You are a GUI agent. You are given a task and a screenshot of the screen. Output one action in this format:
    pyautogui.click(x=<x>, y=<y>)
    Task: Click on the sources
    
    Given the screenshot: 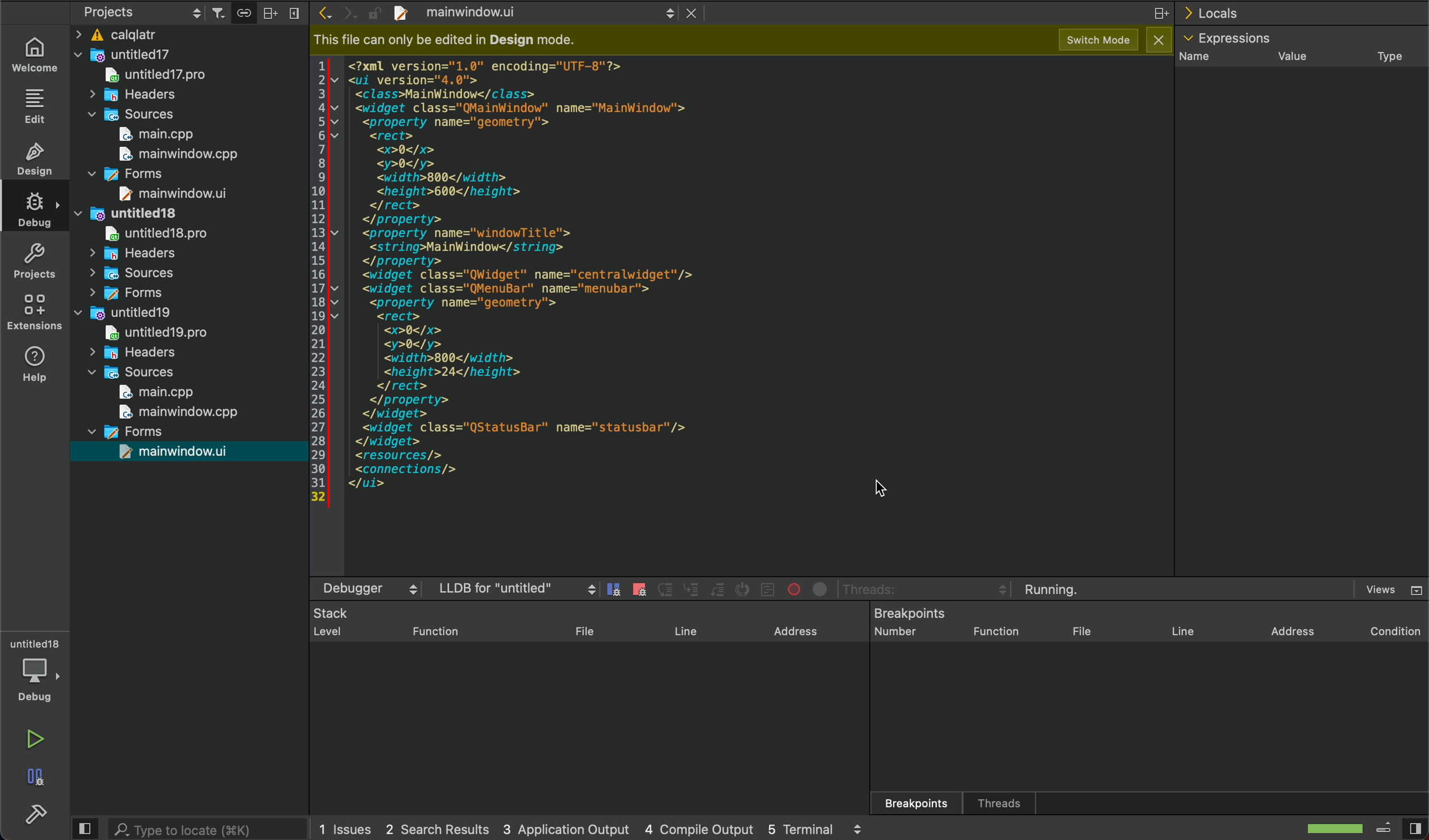 What is the action you would take?
    pyautogui.click(x=133, y=275)
    